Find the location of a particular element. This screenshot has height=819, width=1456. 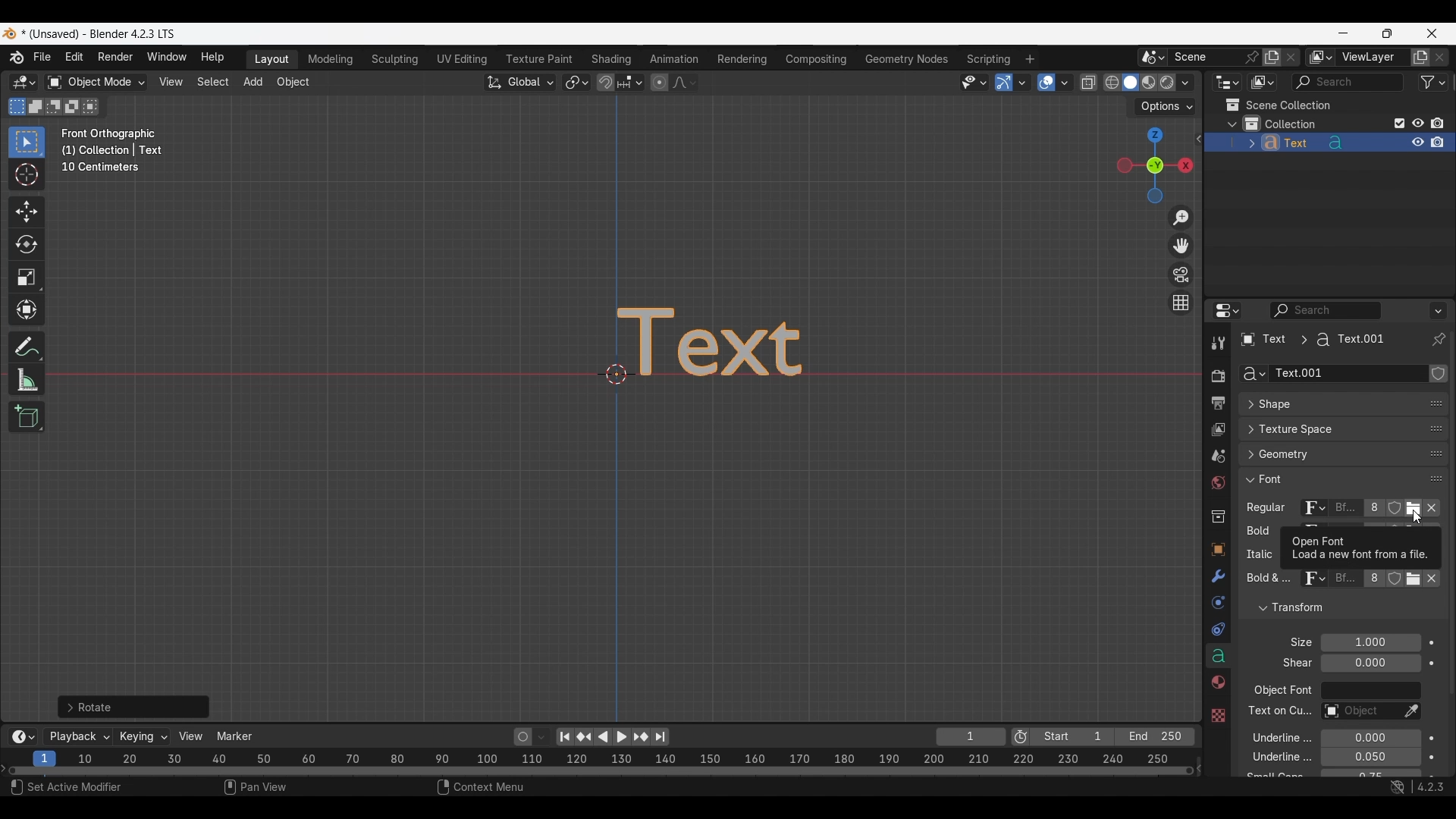

Keying is located at coordinates (142, 736).